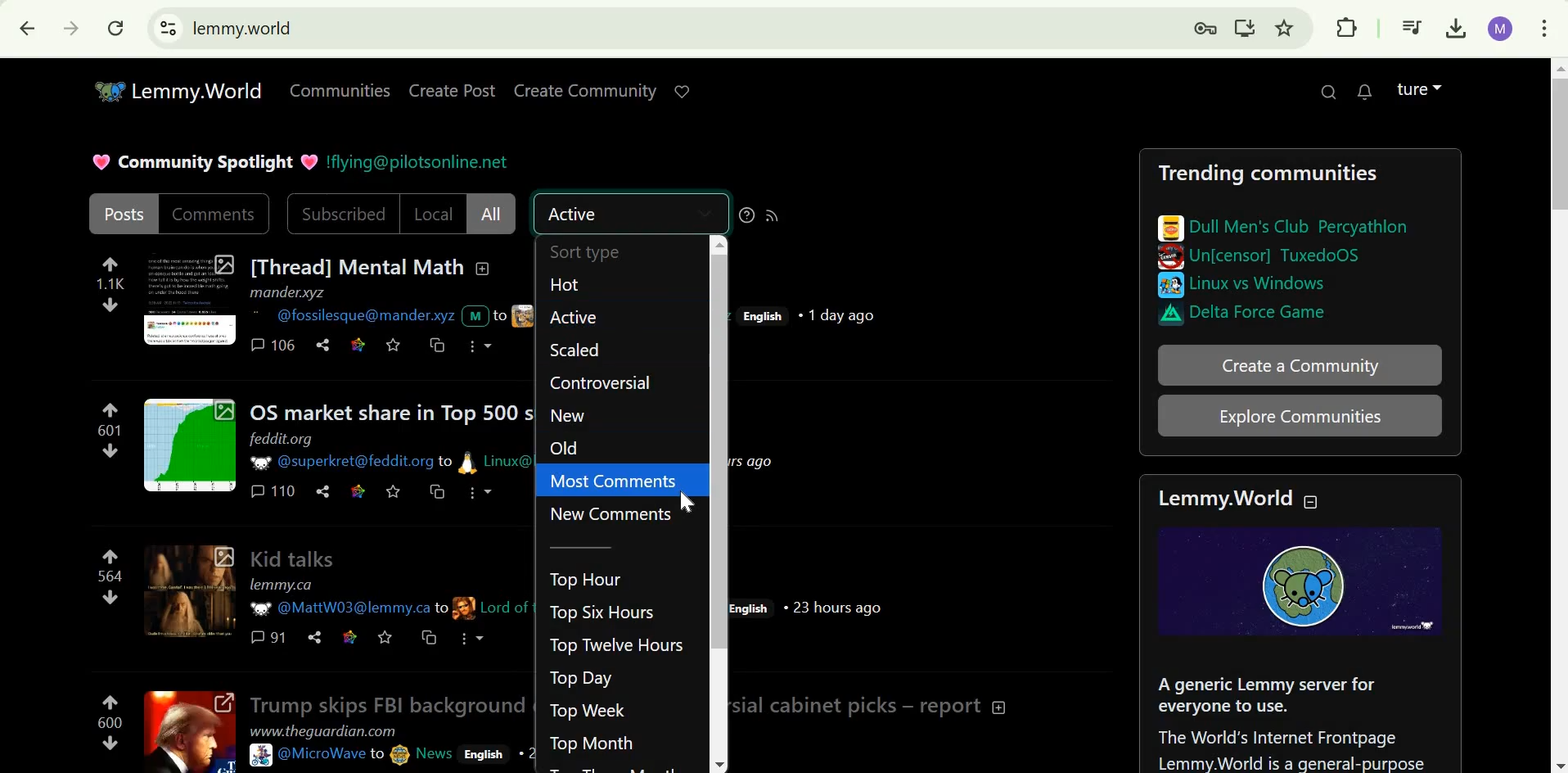 Image resolution: width=1568 pixels, height=773 pixels. Describe the element at coordinates (1153, 314) in the screenshot. I see `image` at that location.